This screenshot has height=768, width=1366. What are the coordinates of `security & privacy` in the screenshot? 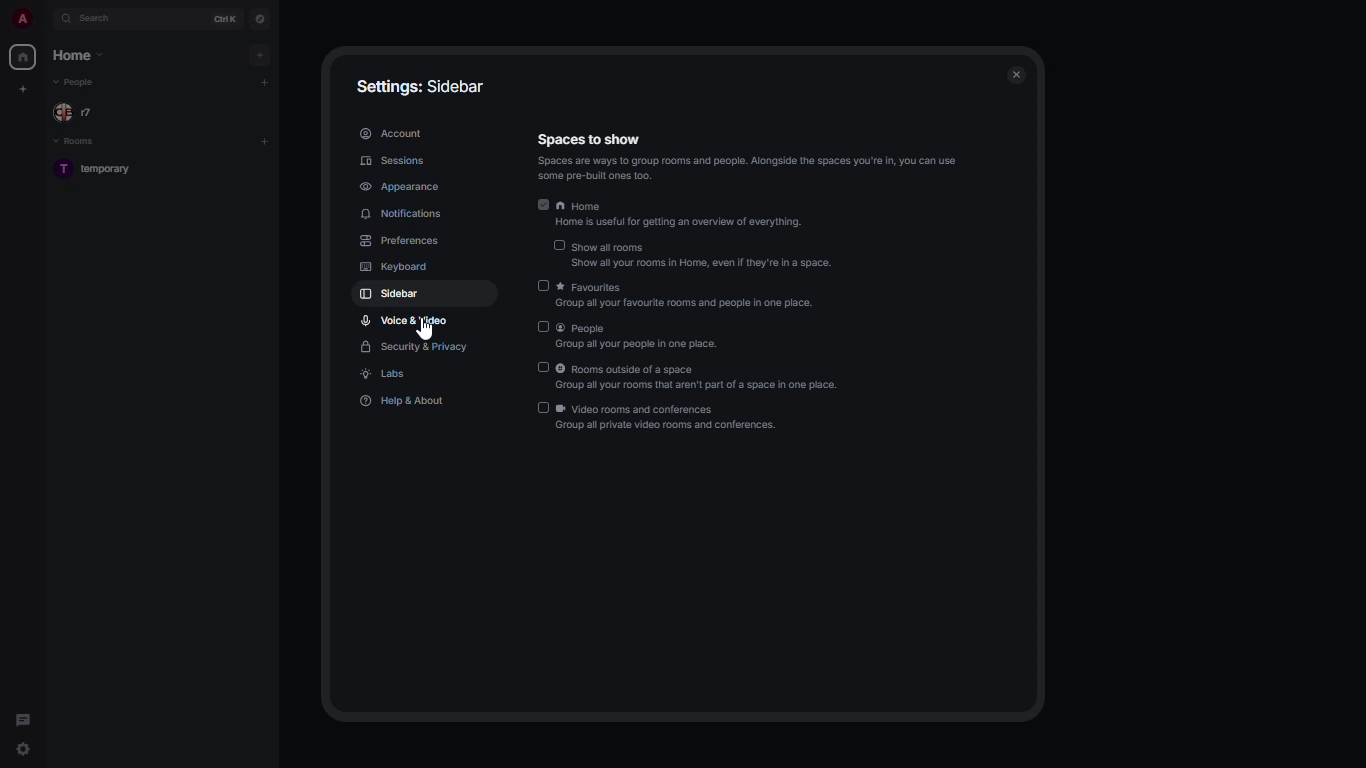 It's located at (415, 347).